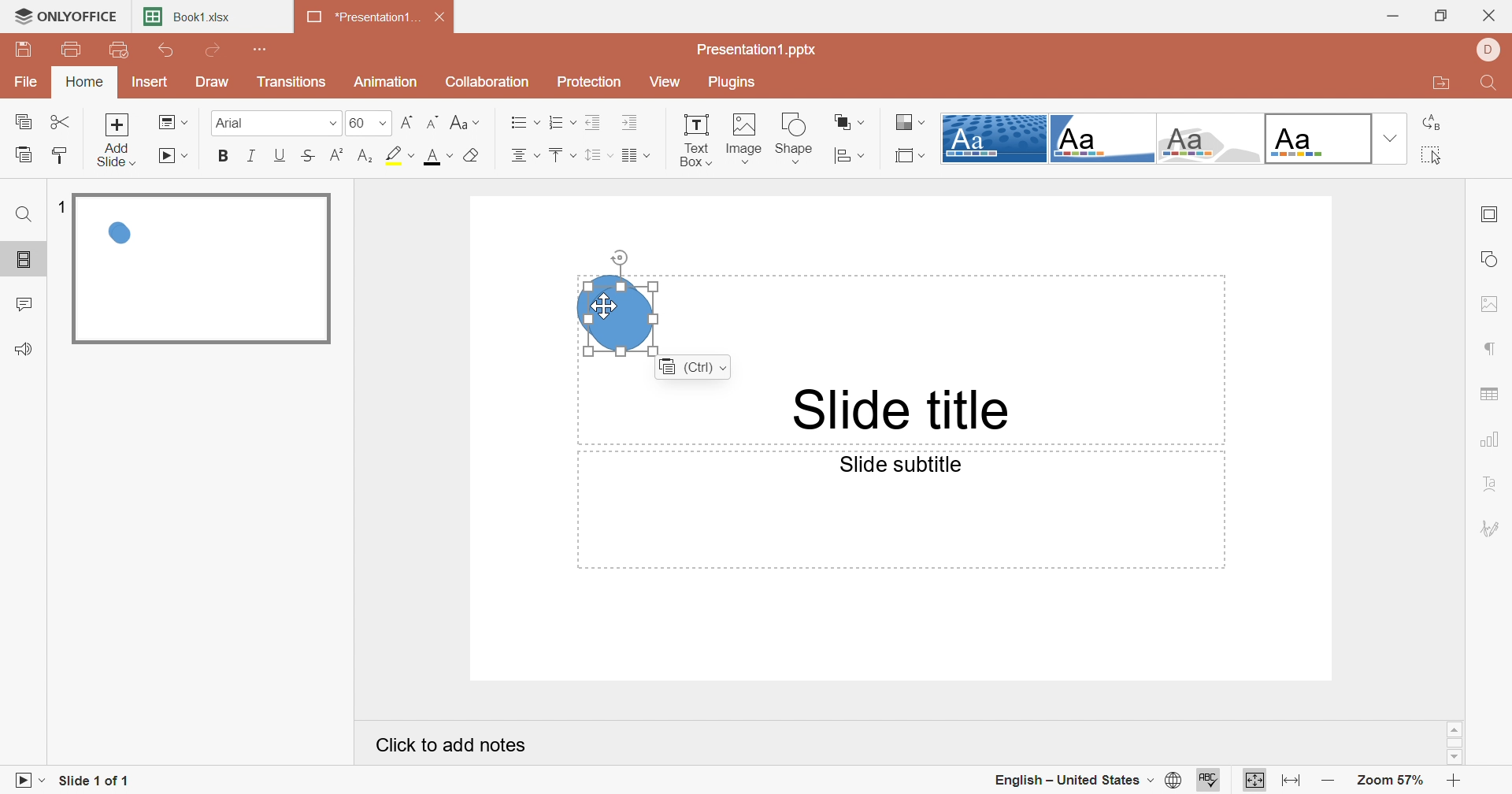 Image resolution: width=1512 pixels, height=794 pixels. I want to click on Font, so click(268, 121).